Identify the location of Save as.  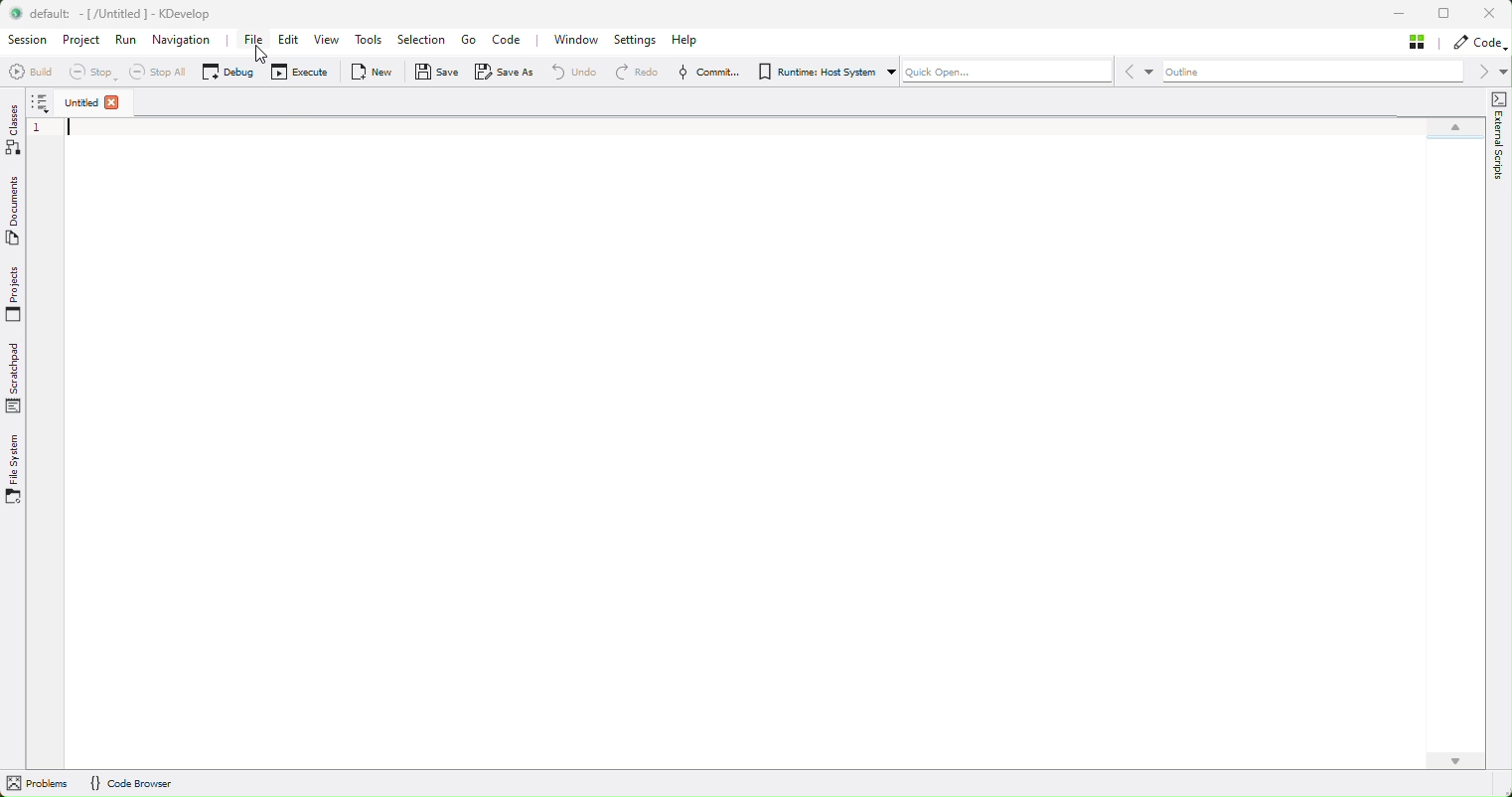
(508, 72).